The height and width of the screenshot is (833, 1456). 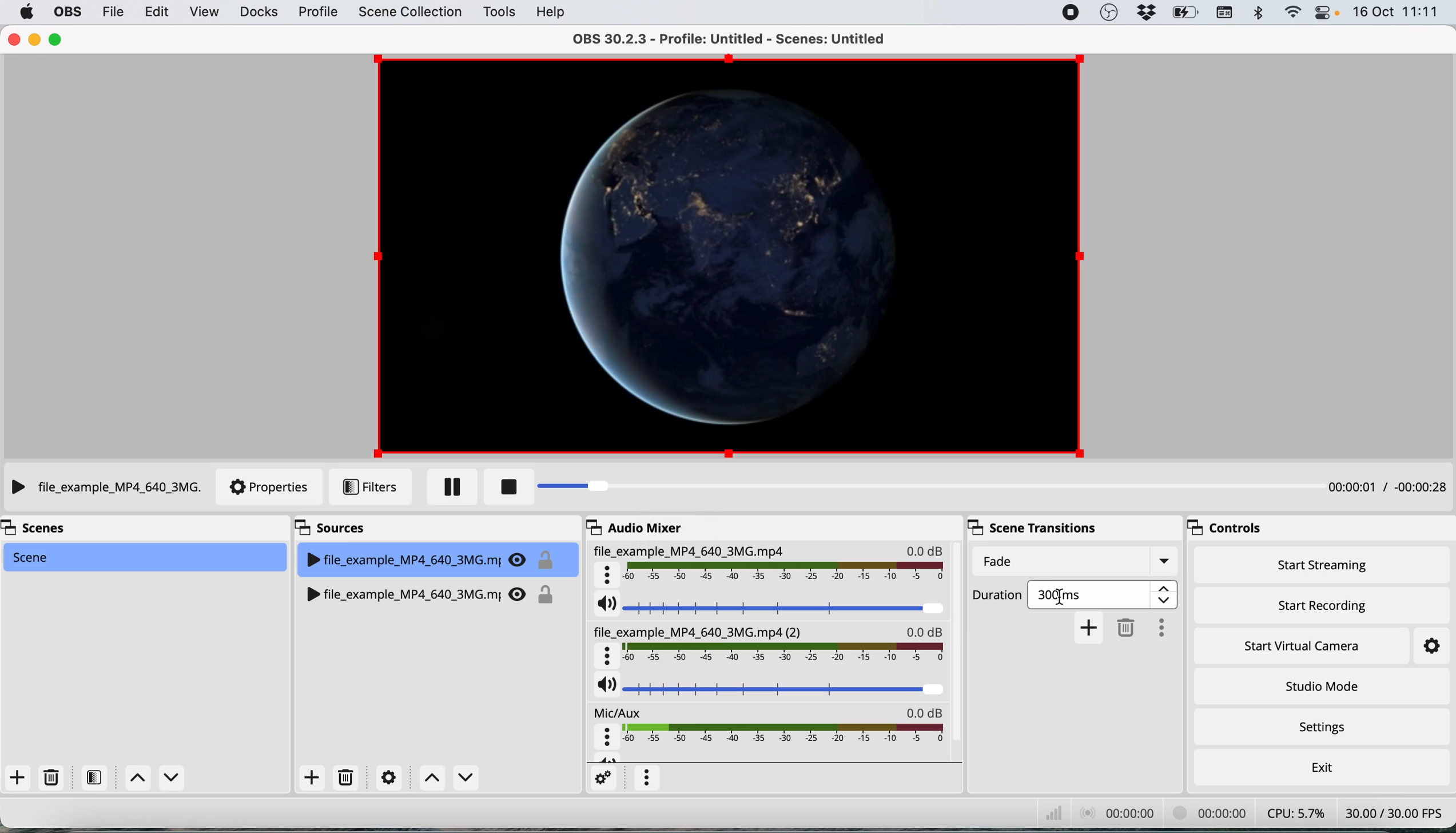 What do you see at coordinates (149, 557) in the screenshot?
I see `current scene` at bounding box center [149, 557].